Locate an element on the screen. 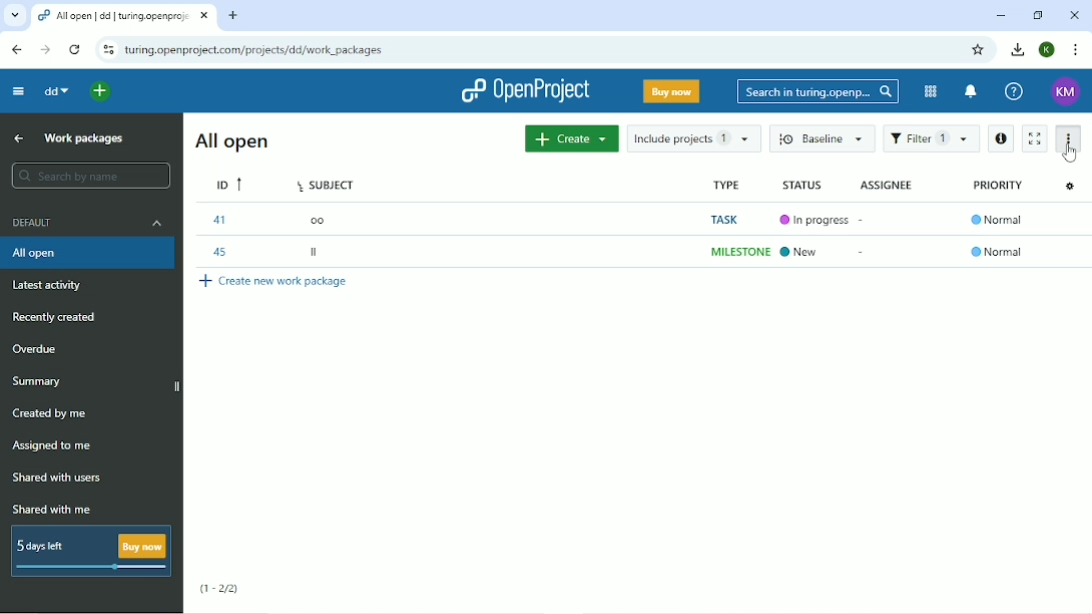 The height and width of the screenshot is (614, 1092). Shared with me is located at coordinates (51, 509).